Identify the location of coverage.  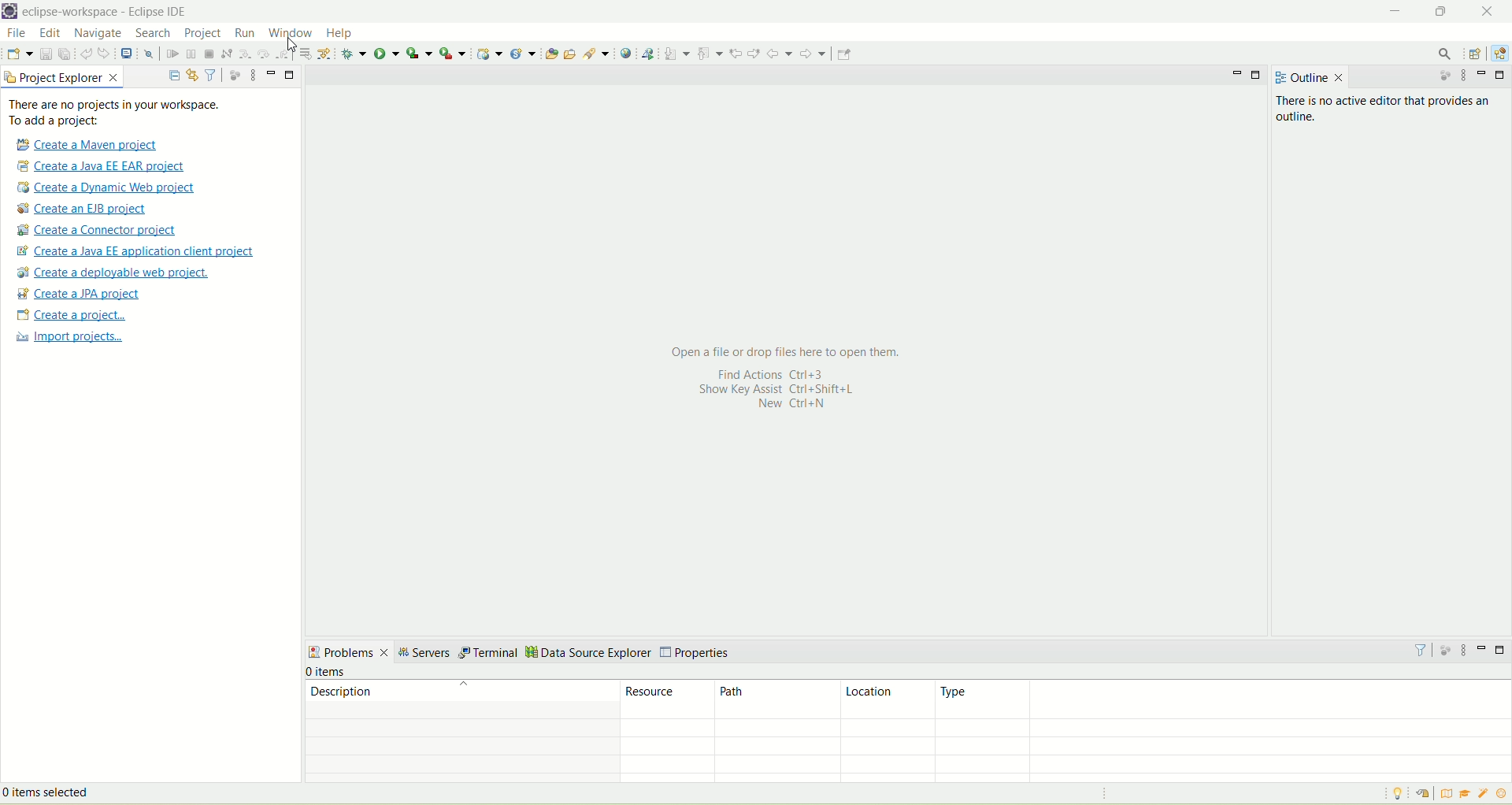
(421, 53).